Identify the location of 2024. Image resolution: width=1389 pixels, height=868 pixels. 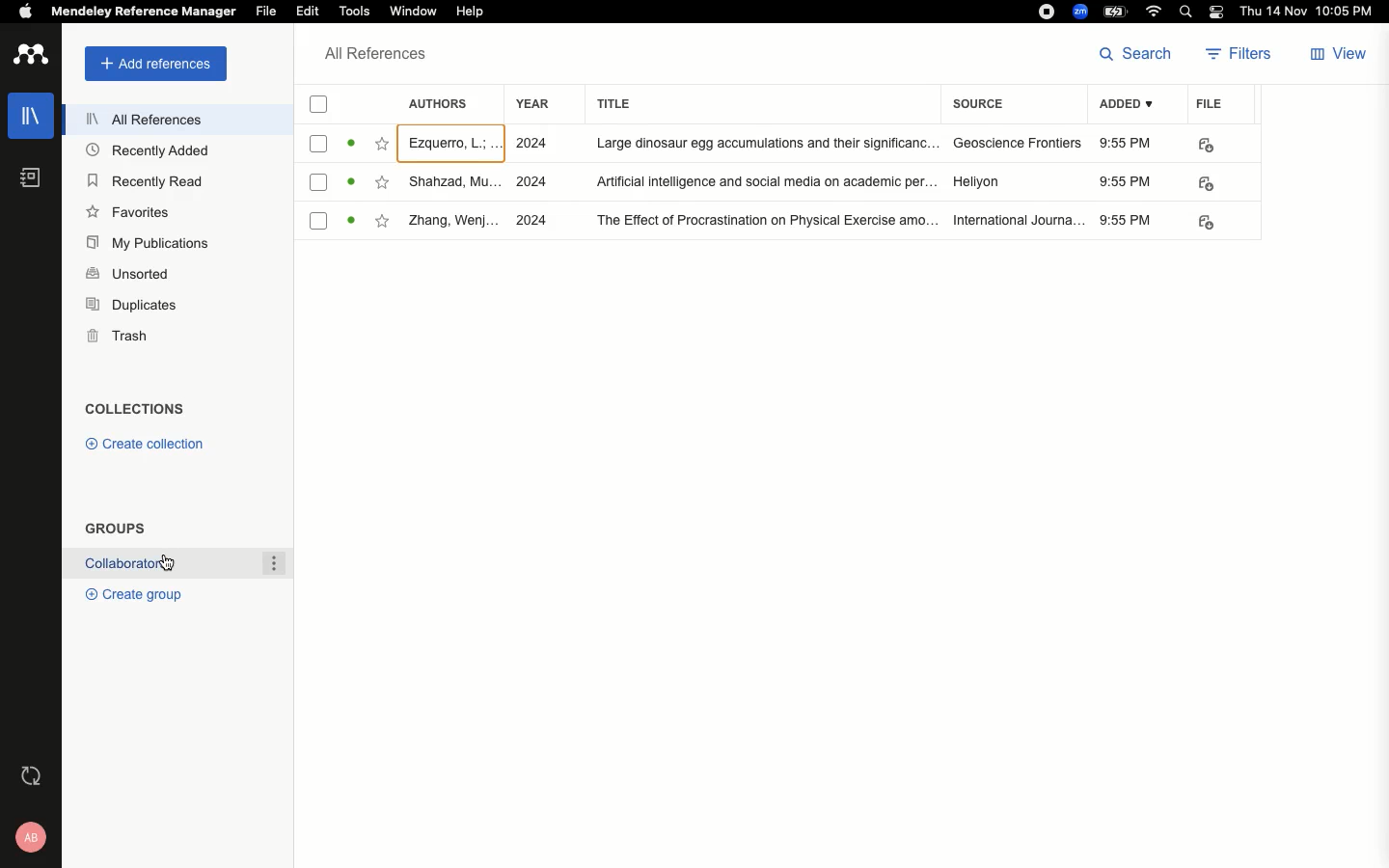
(534, 223).